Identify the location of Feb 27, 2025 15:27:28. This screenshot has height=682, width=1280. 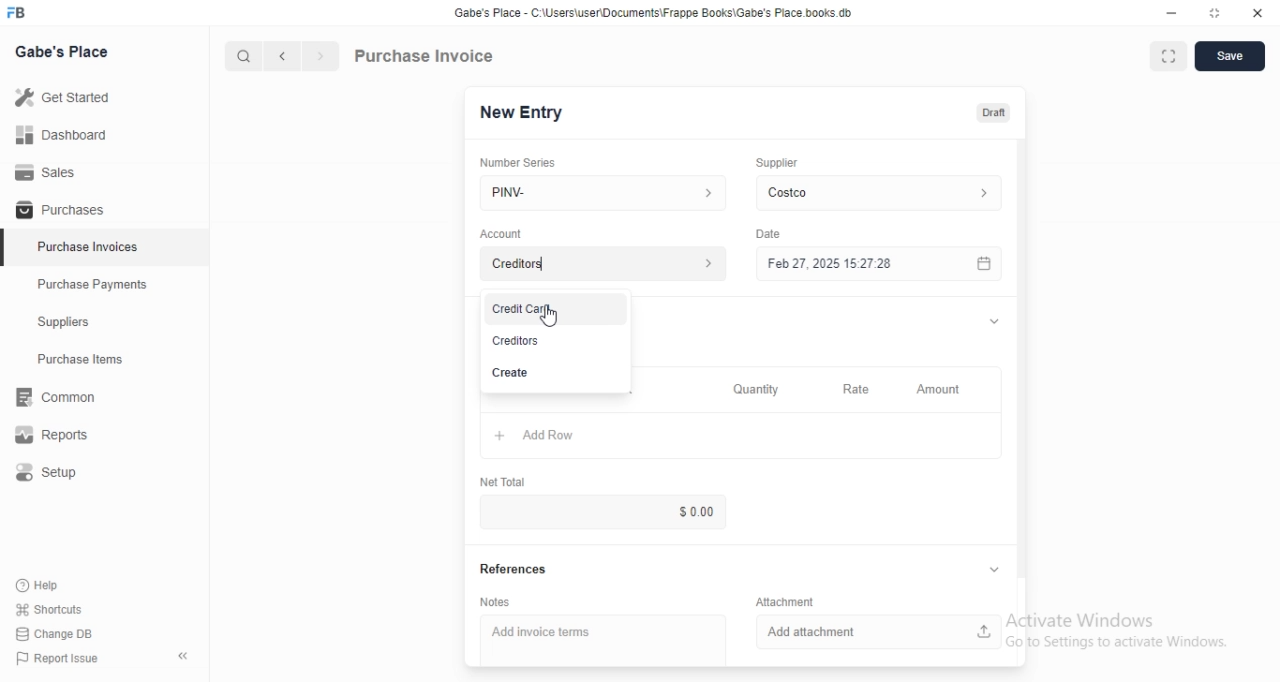
(879, 263).